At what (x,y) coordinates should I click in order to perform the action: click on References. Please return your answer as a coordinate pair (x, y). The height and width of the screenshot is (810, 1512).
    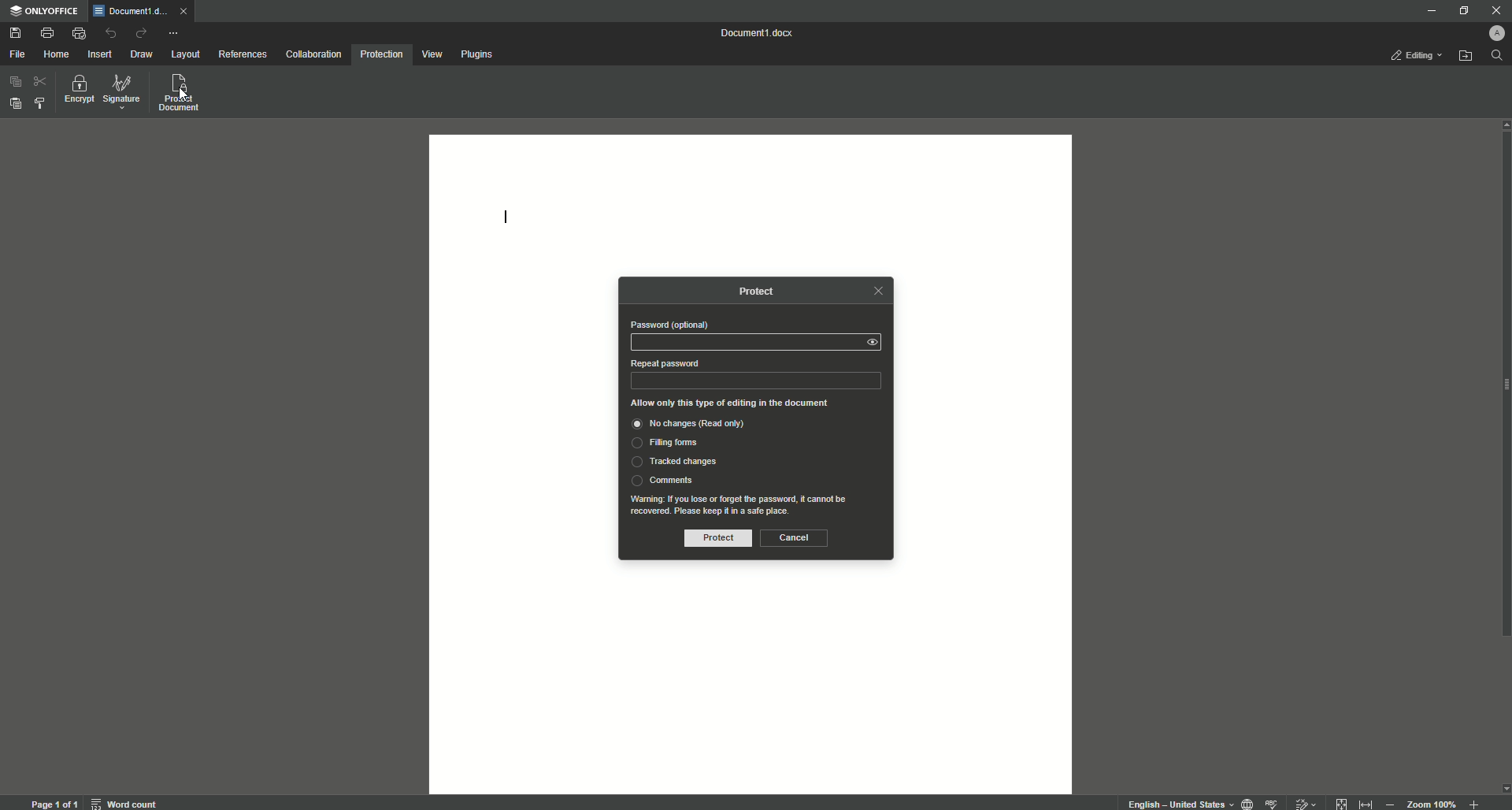
    Looking at the image, I should click on (242, 54).